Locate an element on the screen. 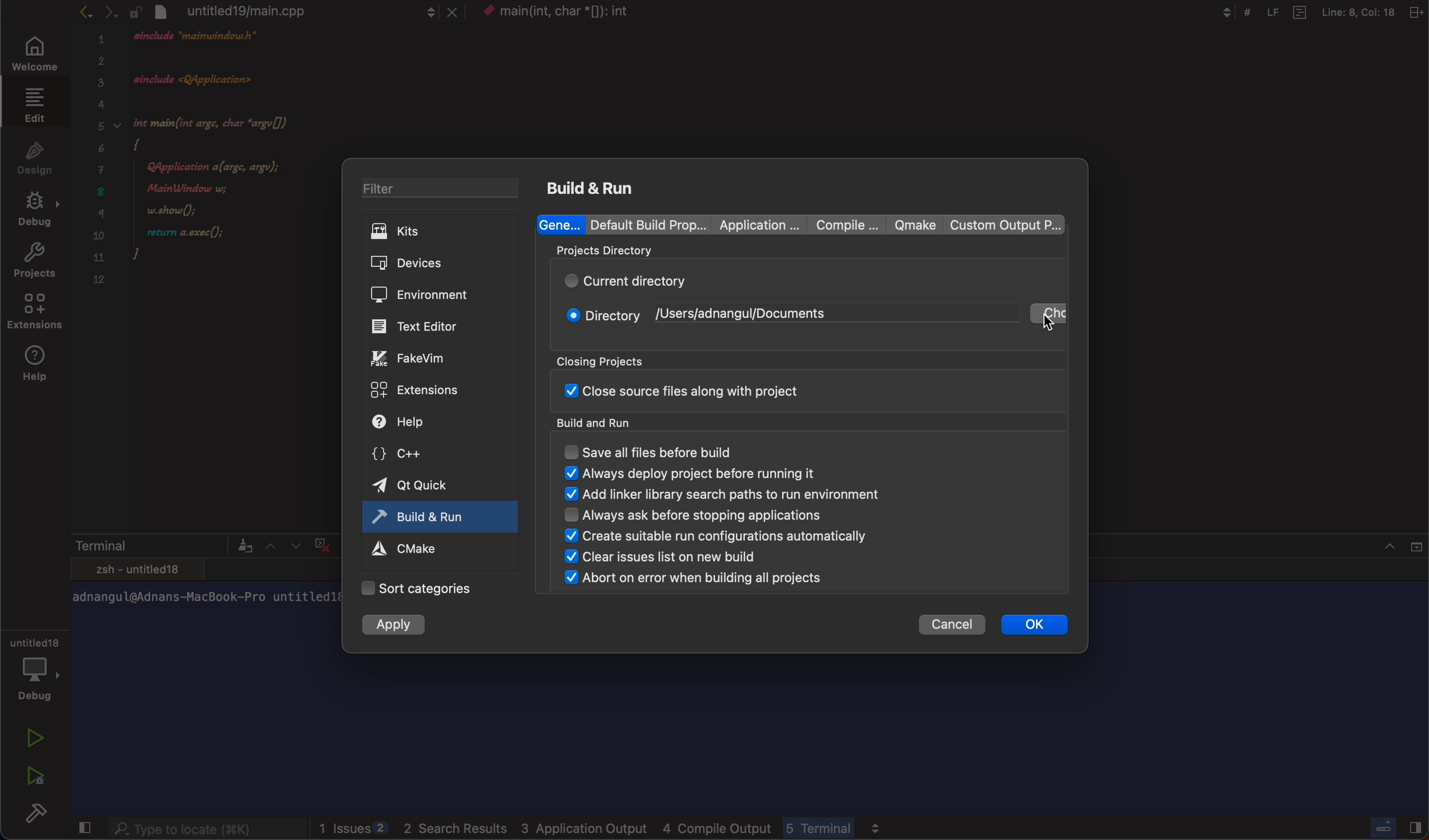 This screenshot has height=840, width=1429. logs is located at coordinates (605, 824).